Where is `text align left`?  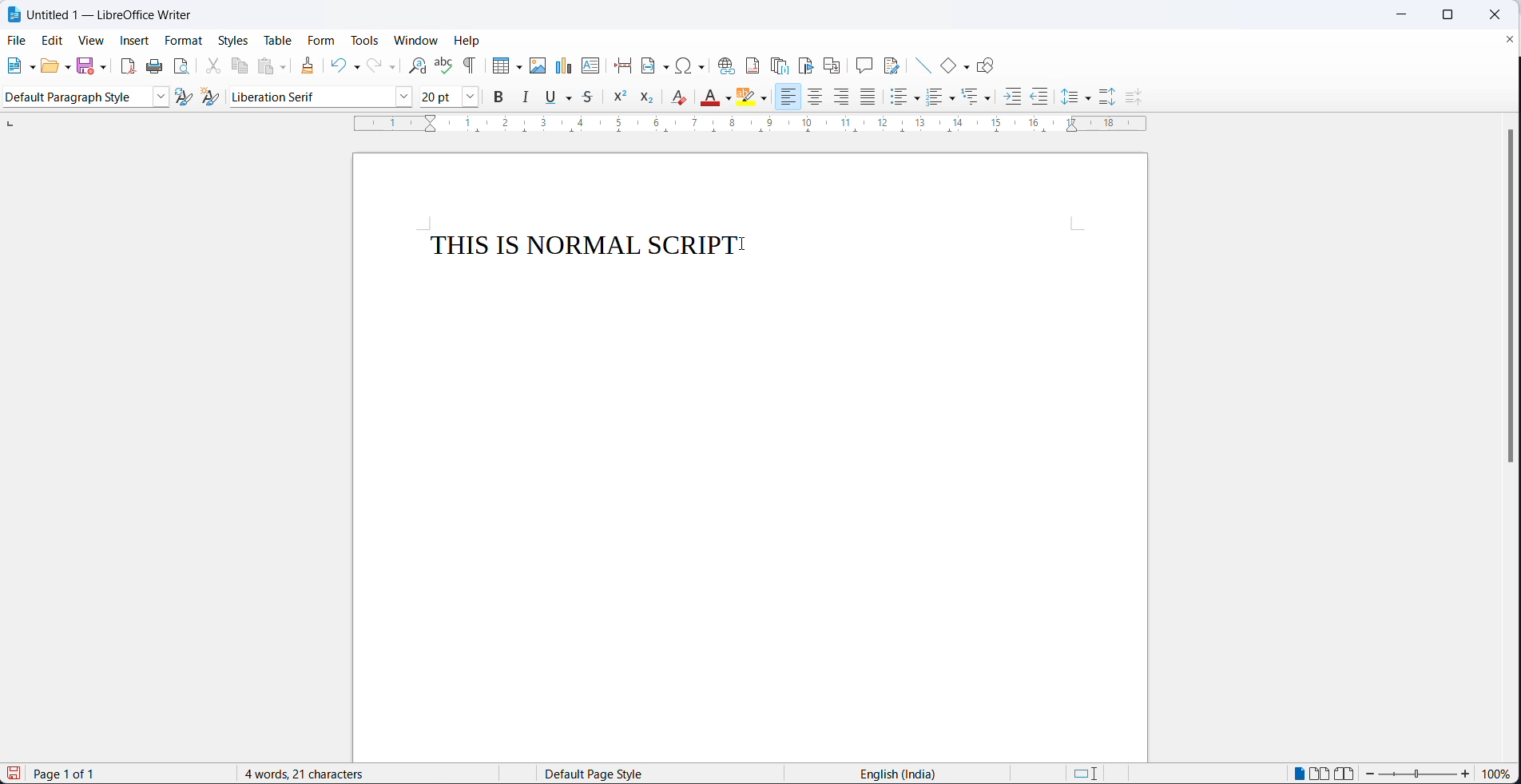 text align left is located at coordinates (791, 98).